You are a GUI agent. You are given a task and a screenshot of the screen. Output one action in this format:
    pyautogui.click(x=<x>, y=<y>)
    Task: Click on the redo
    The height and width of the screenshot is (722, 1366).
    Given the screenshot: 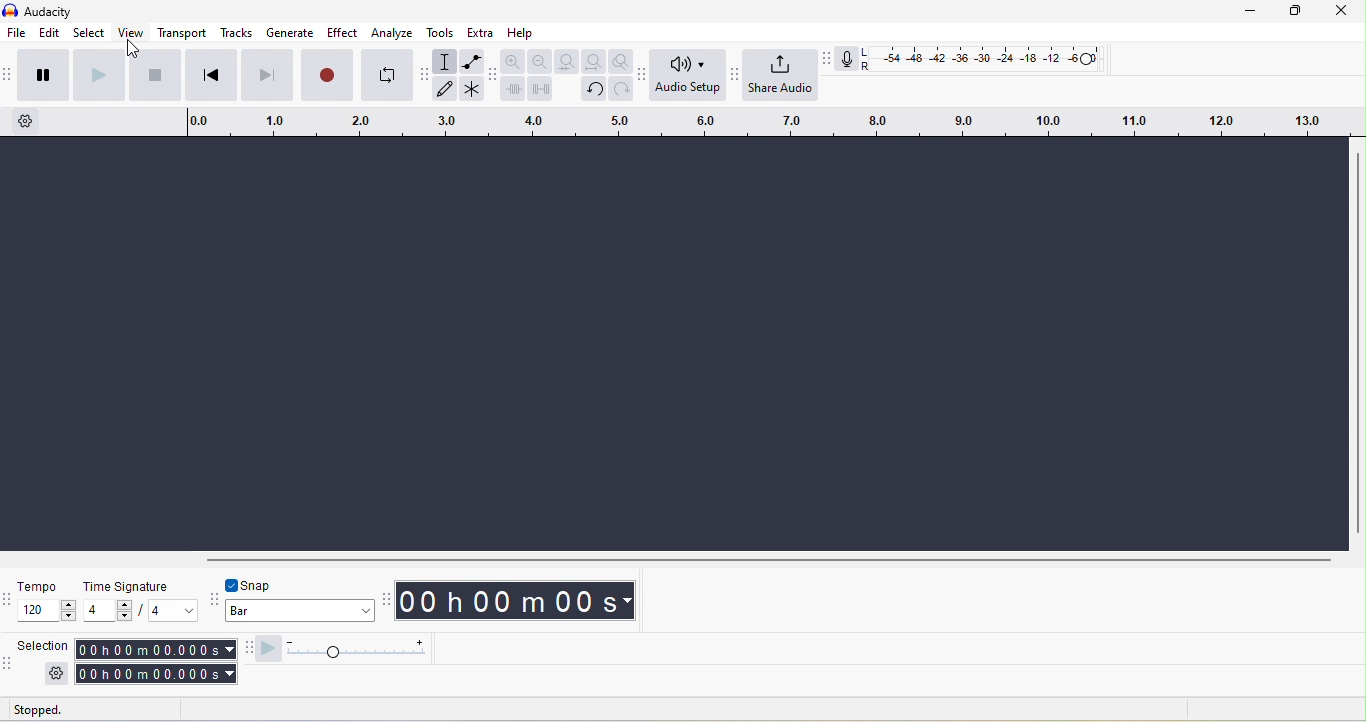 What is the action you would take?
    pyautogui.click(x=621, y=89)
    